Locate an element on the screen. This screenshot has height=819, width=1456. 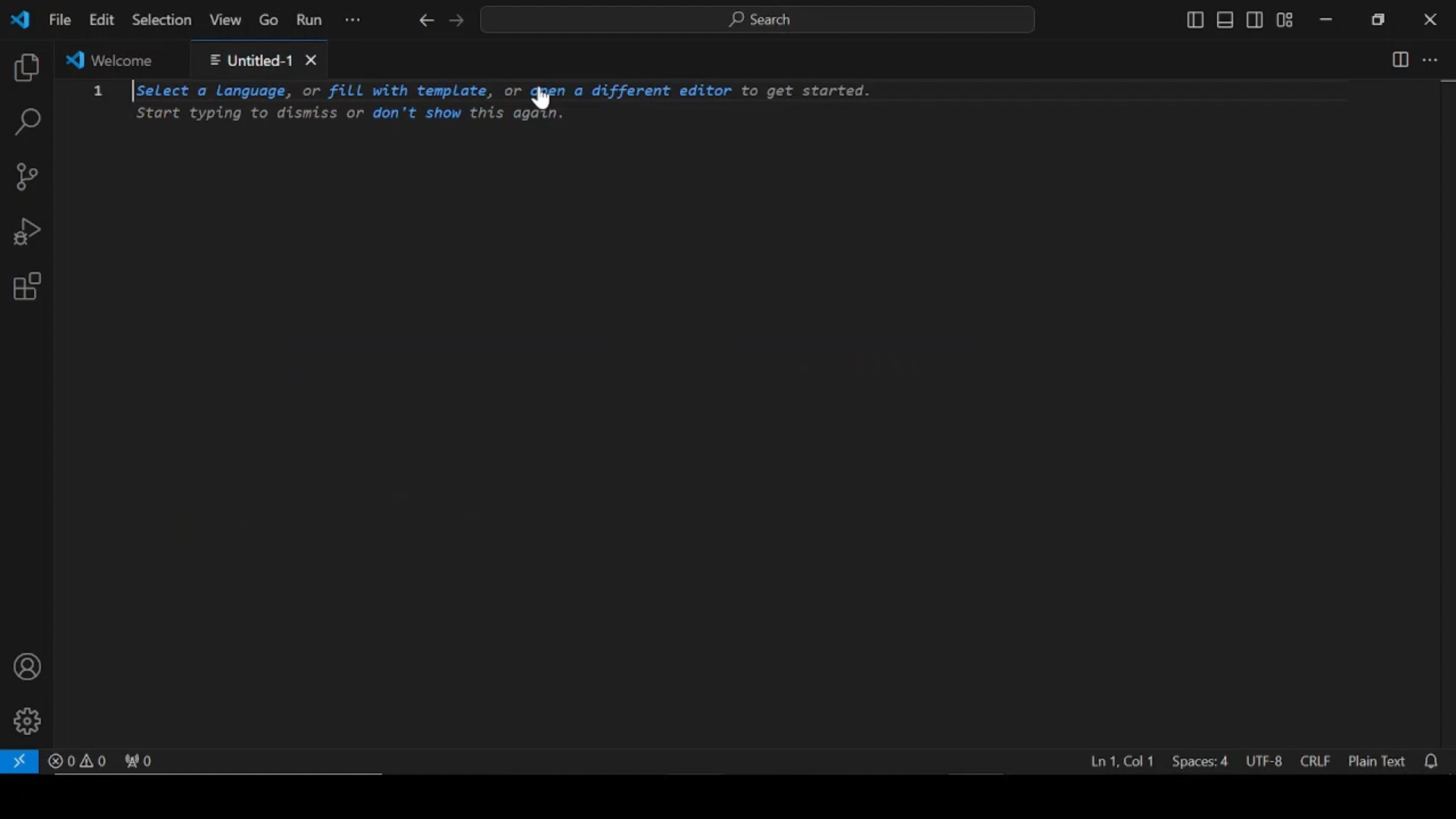
search is located at coordinates (27, 123).